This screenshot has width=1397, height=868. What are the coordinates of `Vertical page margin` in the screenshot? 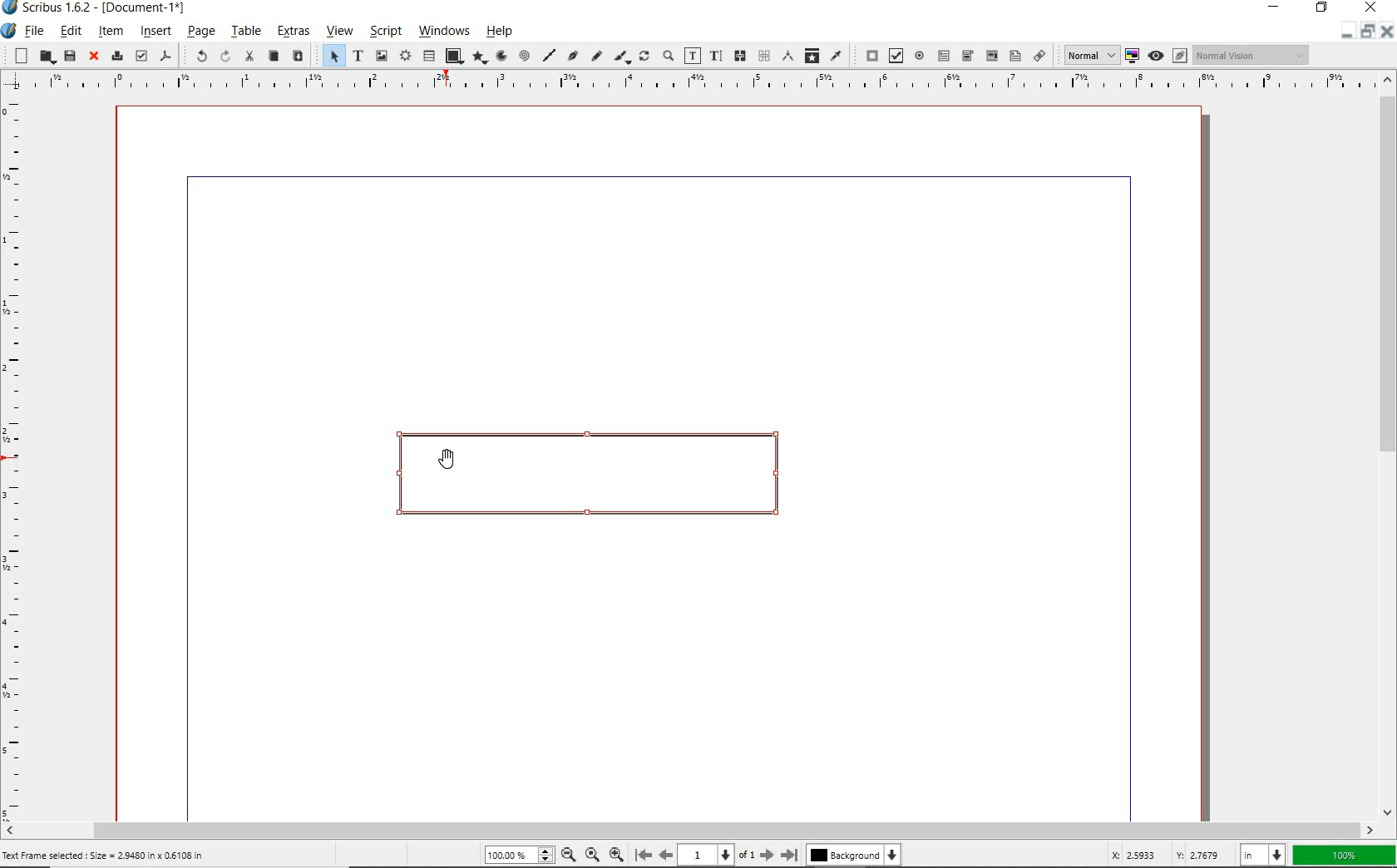 It's located at (683, 83).